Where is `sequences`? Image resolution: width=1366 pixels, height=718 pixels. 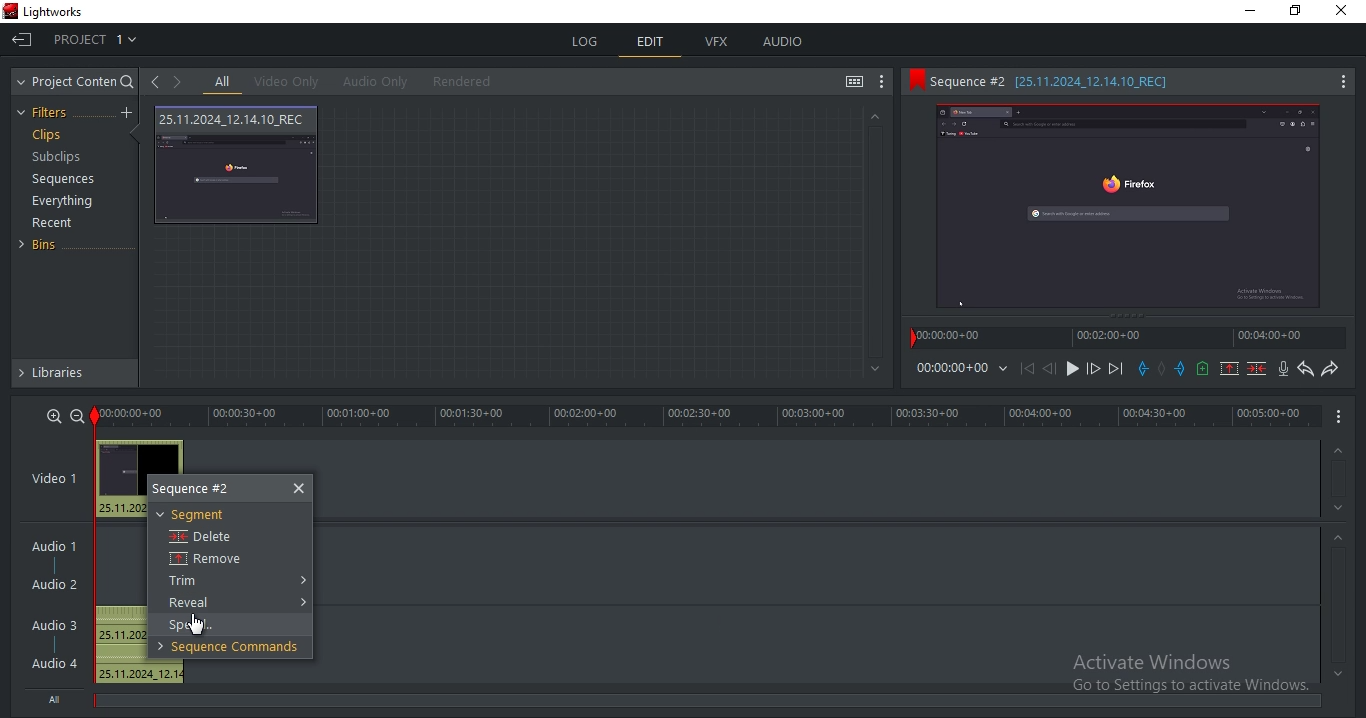
sequences is located at coordinates (64, 179).